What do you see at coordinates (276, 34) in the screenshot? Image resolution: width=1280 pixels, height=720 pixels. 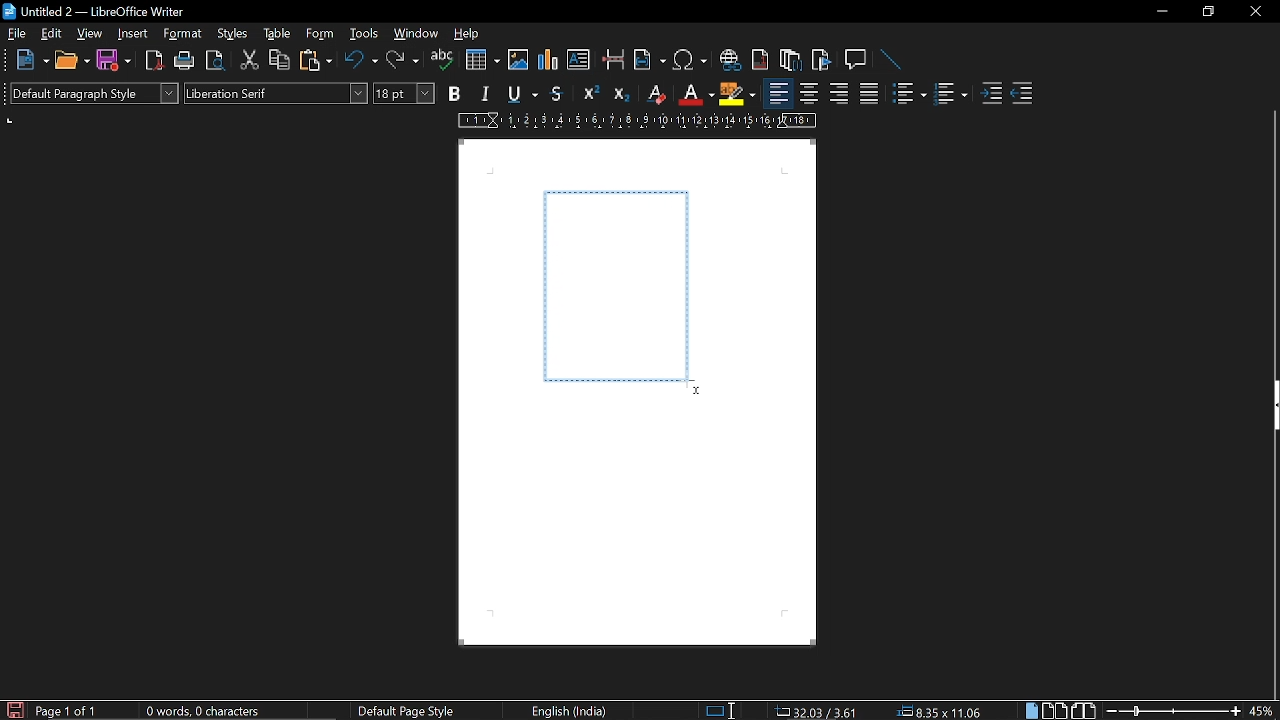 I see `table` at bounding box center [276, 34].